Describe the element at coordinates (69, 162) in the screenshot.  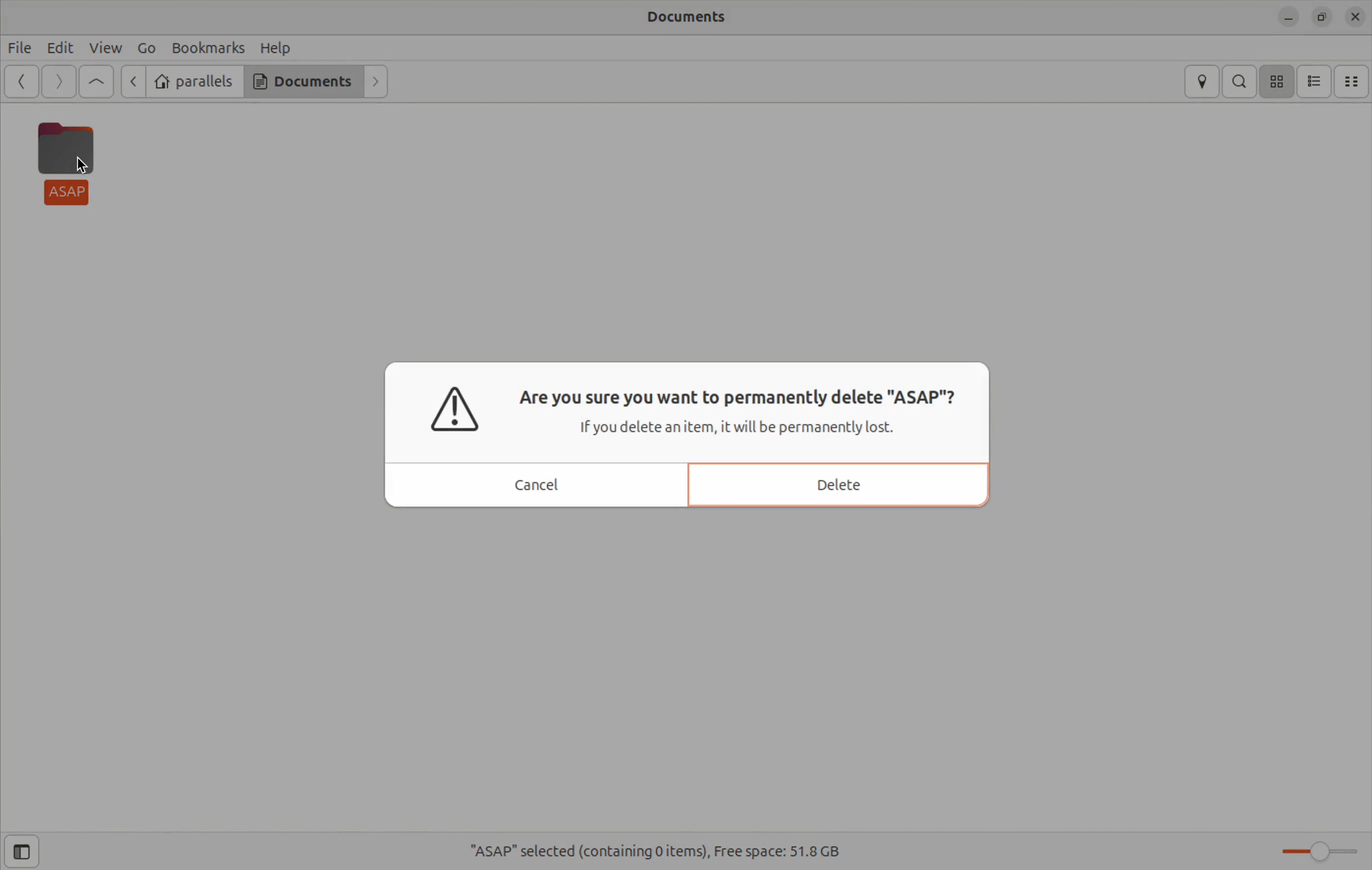
I see `ASAP` at that location.